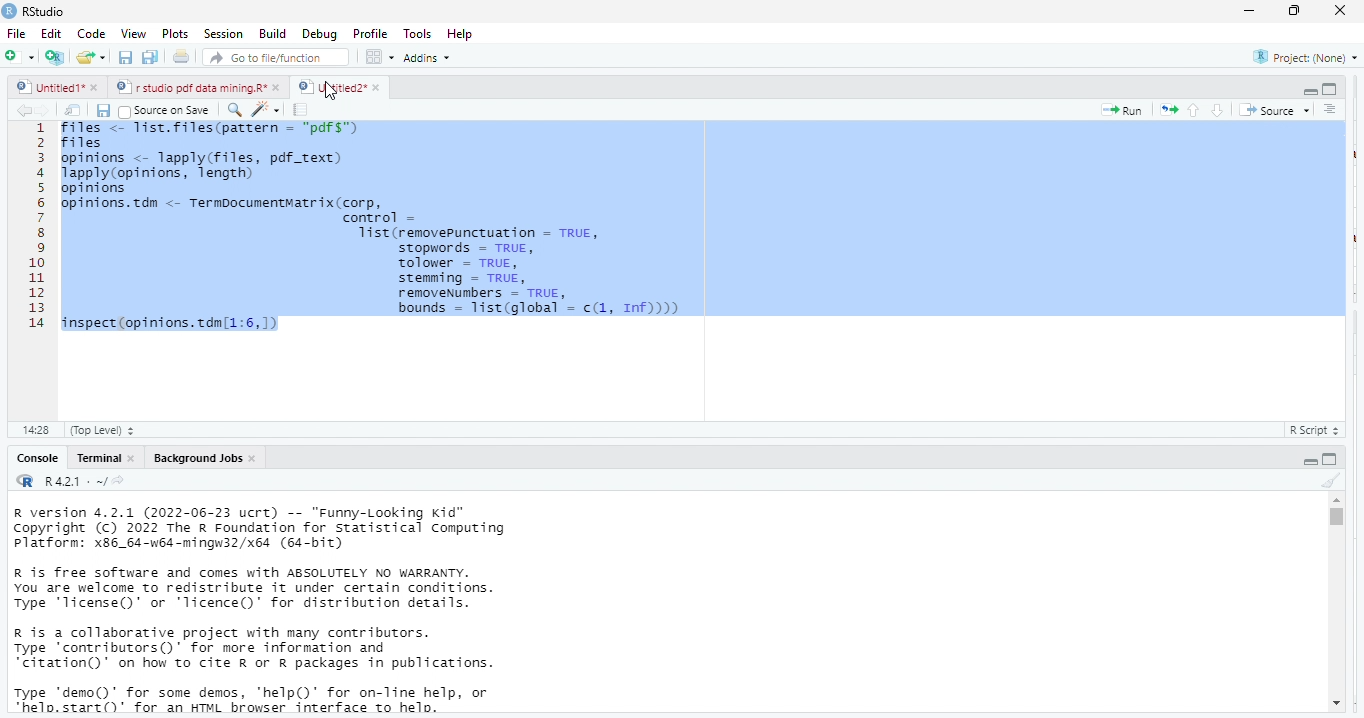 The height and width of the screenshot is (718, 1364). Describe the element at coordinates (272, 56) in the screenshot. I see `go to file /function` at that location.